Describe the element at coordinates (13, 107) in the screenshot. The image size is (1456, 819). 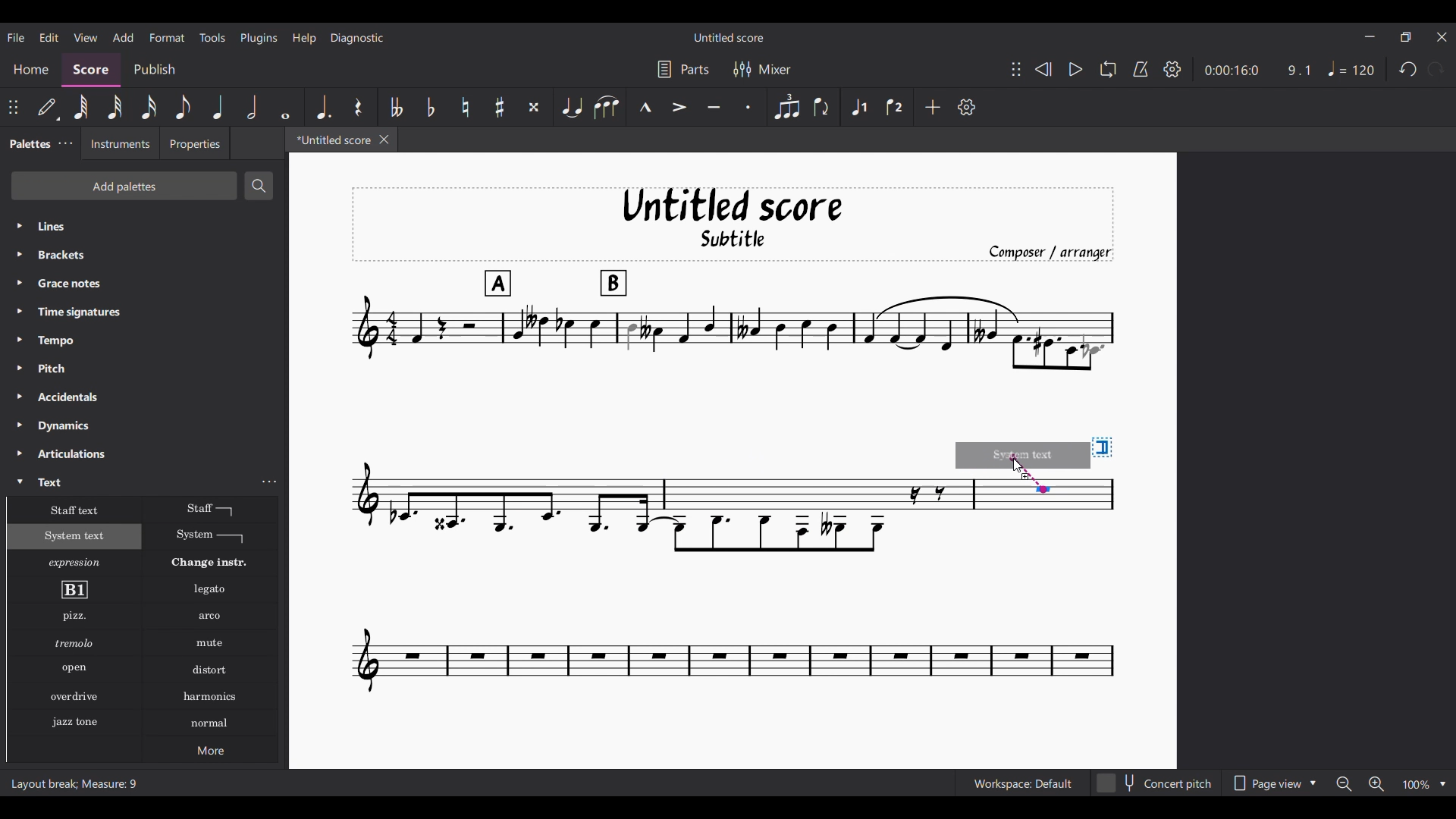
I see `Change position` at that location.